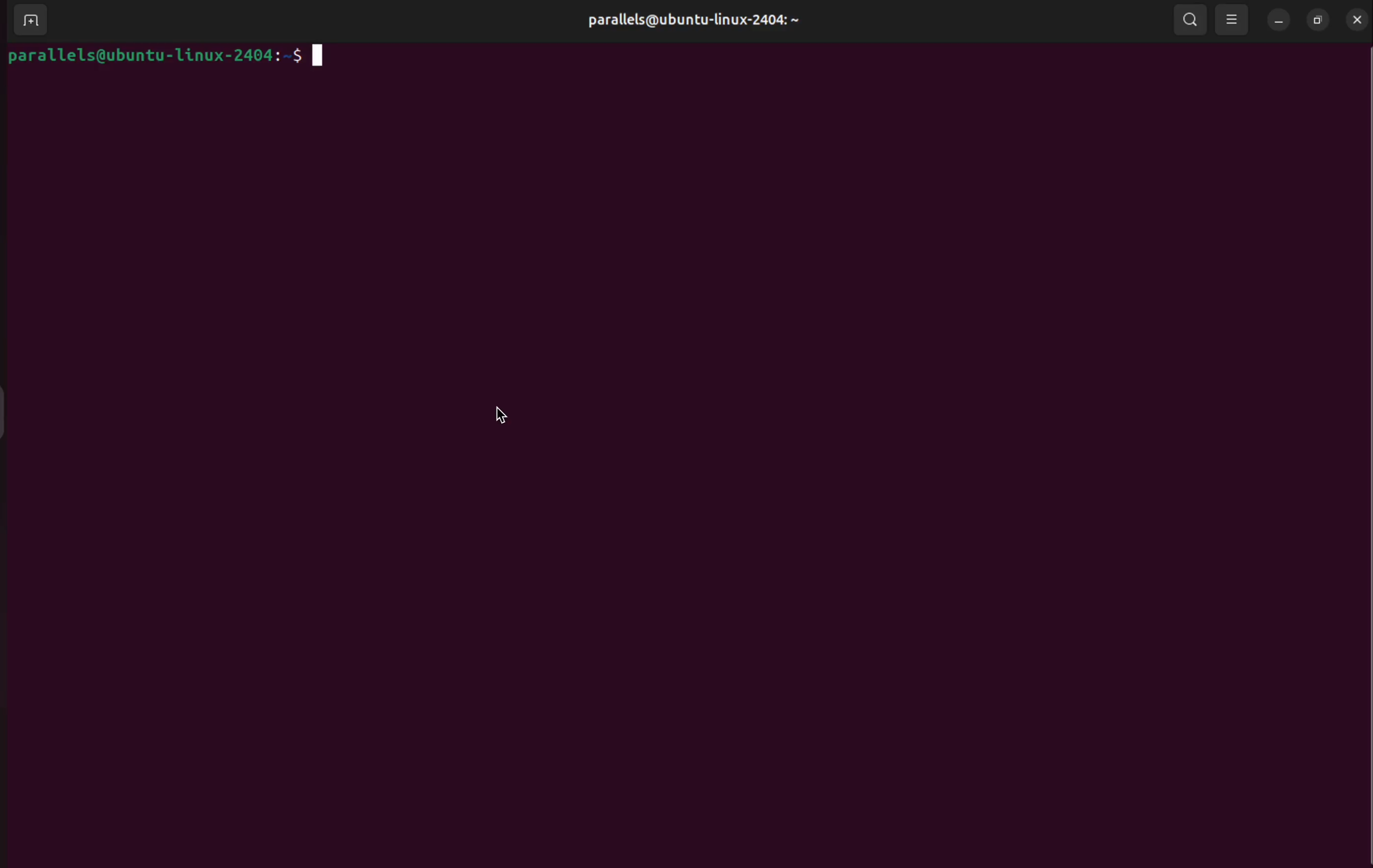 This screenshot has height=868, width=1373. What do you see at coordinates (1364, 415) in the screenshot?
I see `Scrollbar` at bounding box center [1364, 415].